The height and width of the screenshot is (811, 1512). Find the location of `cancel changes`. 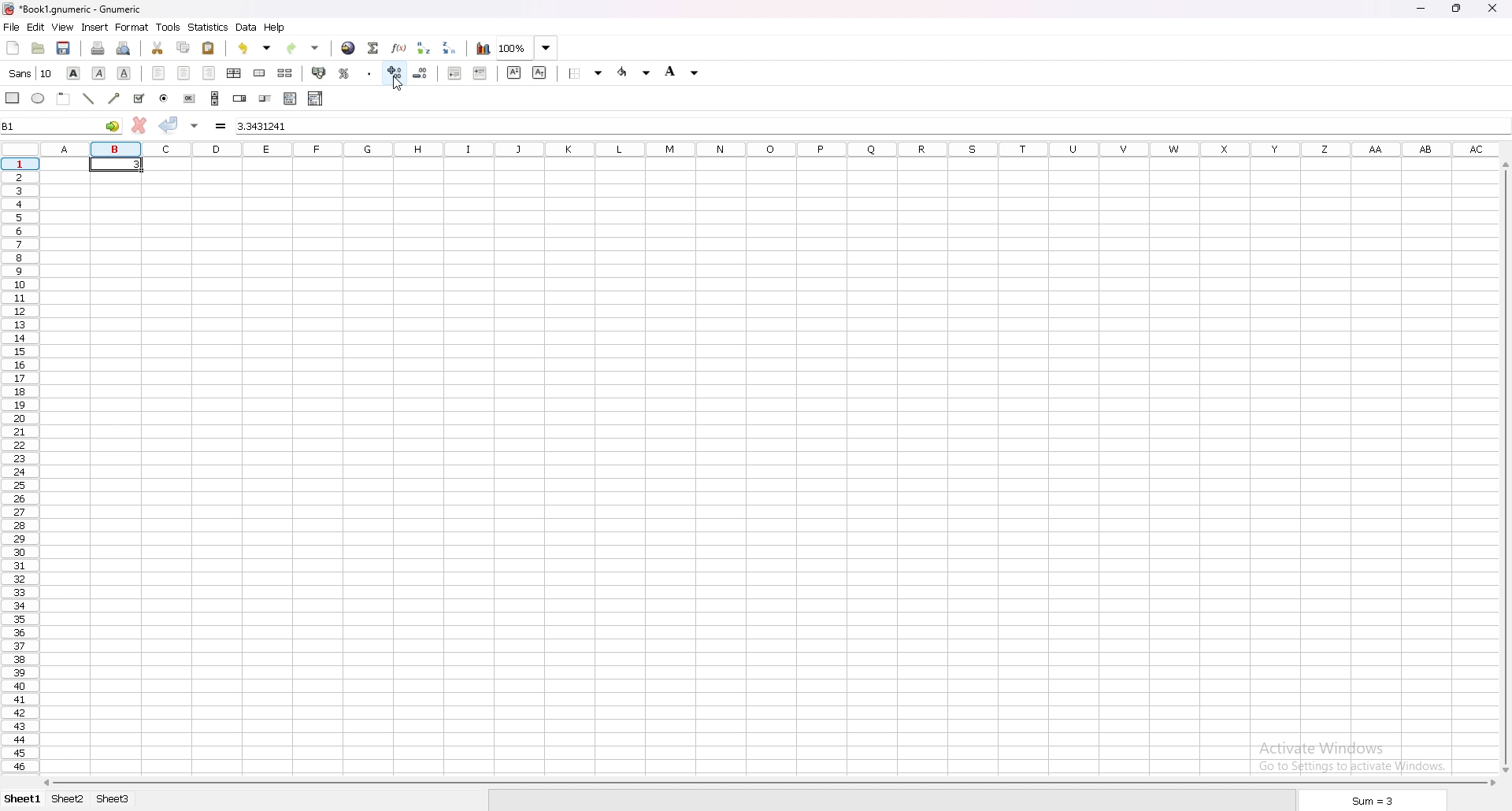

cancel changes is located at coordinates (139, 125).